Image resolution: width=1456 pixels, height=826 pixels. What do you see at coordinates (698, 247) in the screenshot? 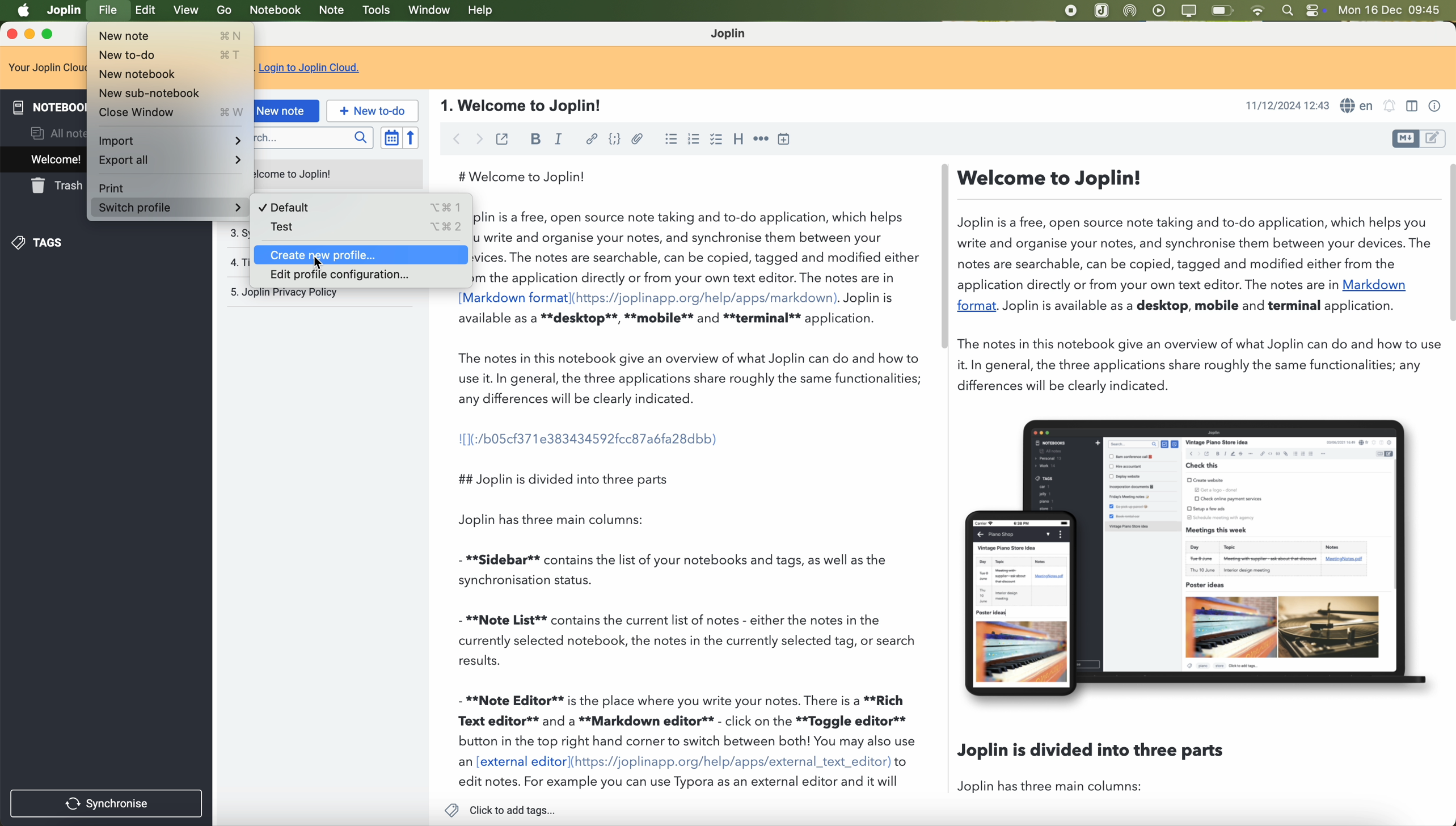
I see `Joplin is a free, open source note taking and to-do application, which helps
you write and organise your notes, and synchronise them between your
devices. The notes are searchable, can be copied, tagged and modified either
from the application directly or from your own text editor. The notes are in` at bounding box center [698, 247].